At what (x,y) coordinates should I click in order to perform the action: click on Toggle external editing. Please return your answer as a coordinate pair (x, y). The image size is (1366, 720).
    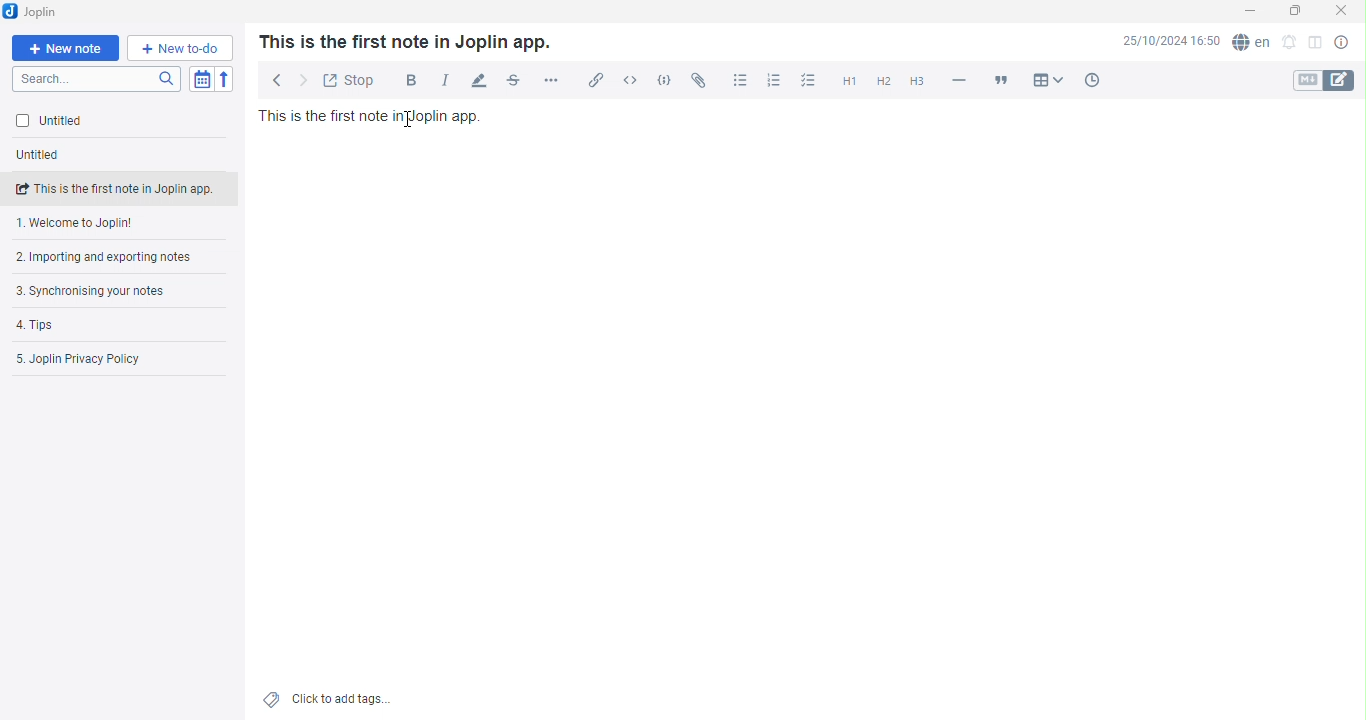
    Looking at the image, I should click on (348, 79).